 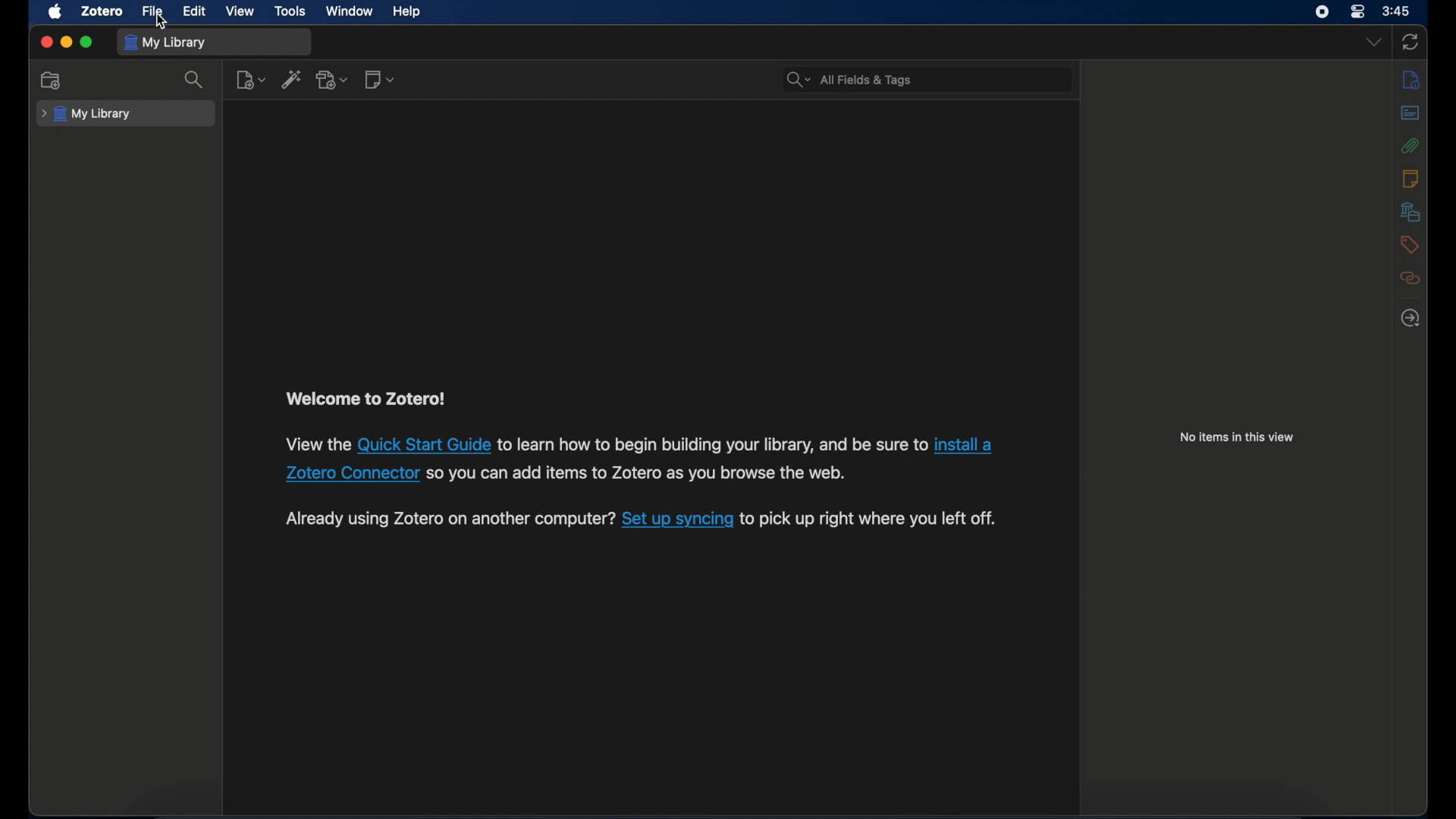 I want to click on tags, so click(x=1410, y=245).